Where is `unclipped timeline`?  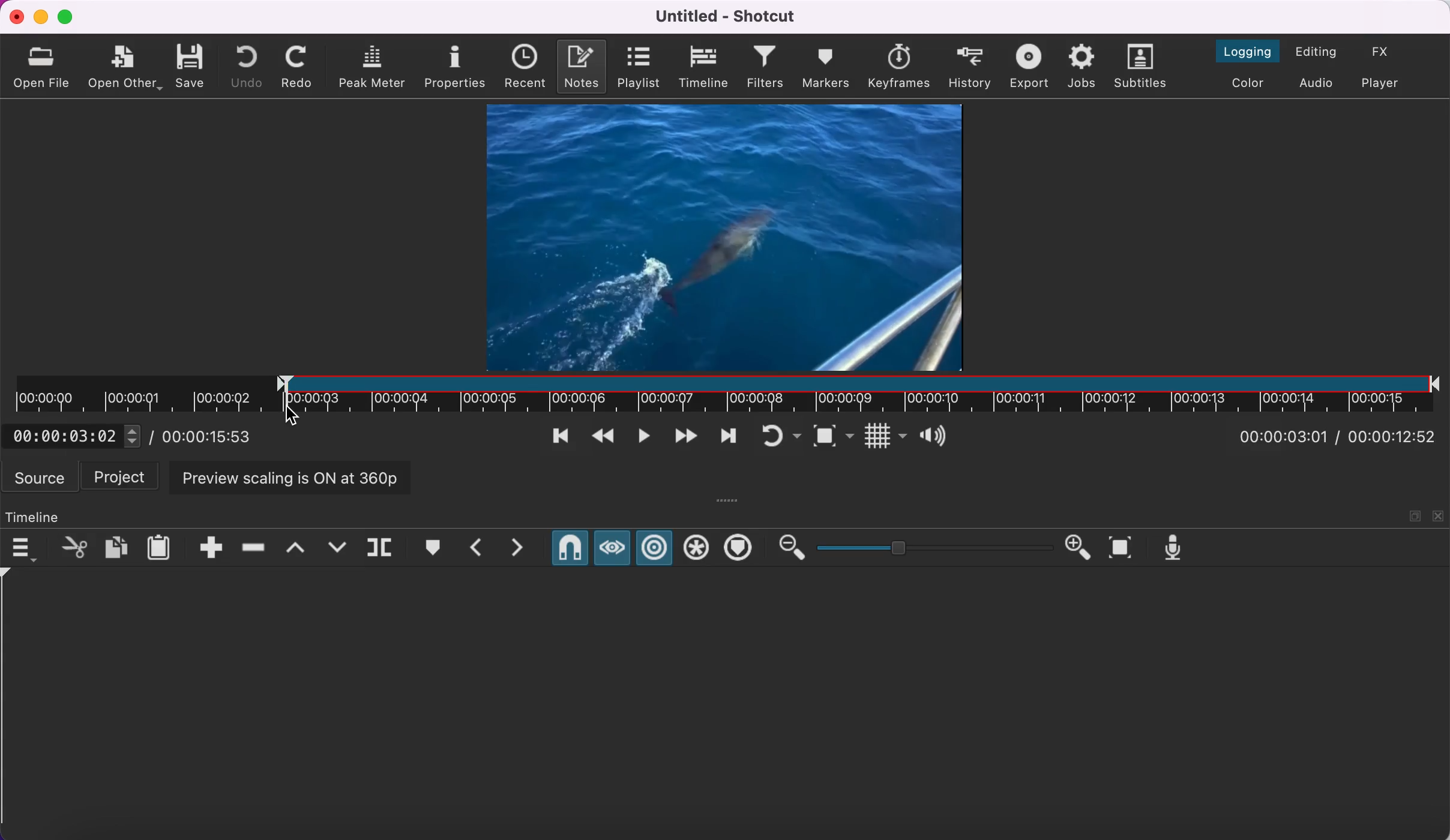
unclipped timeline is located at coordinates (140, 394).